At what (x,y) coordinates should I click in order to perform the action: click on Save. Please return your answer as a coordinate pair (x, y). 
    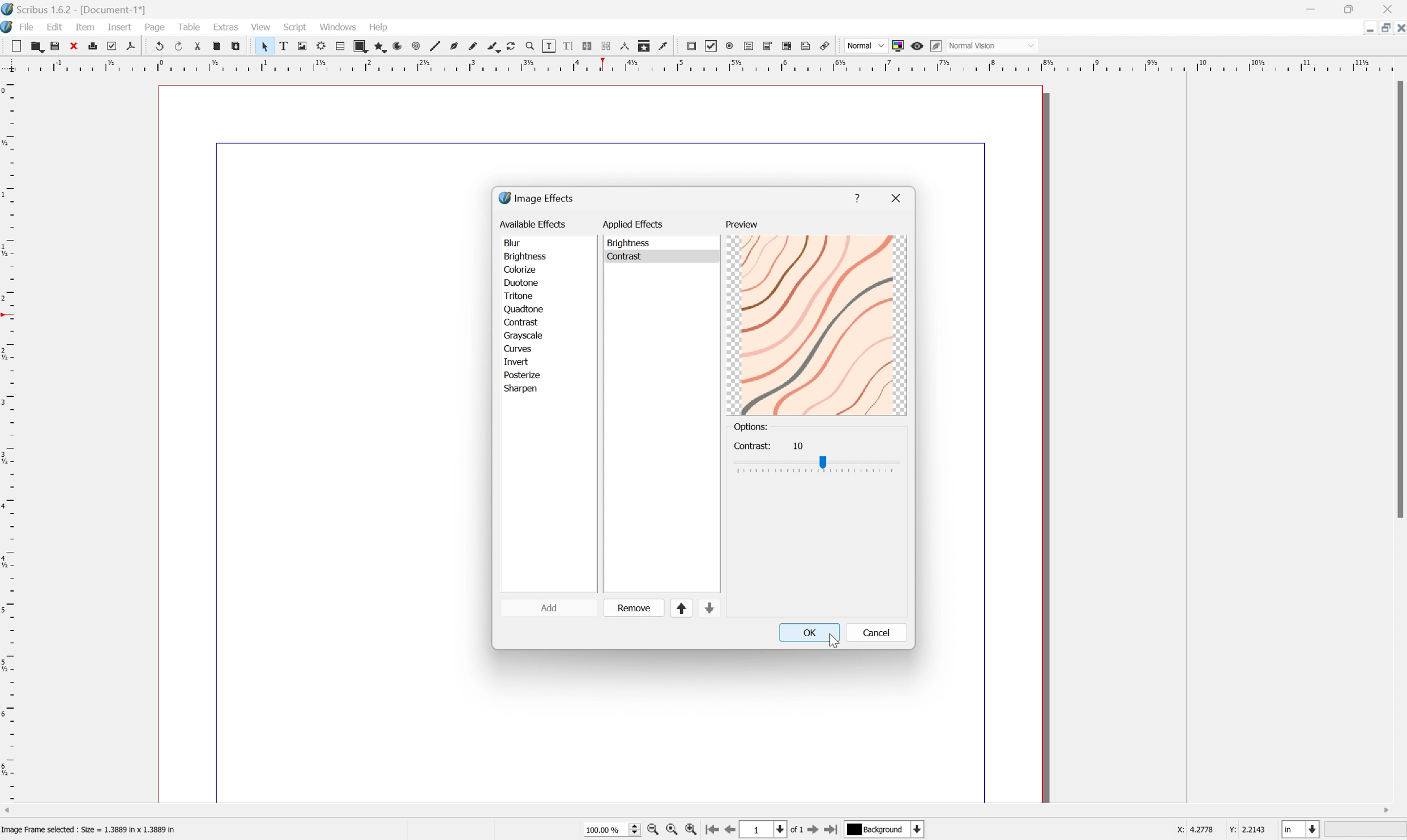
    Looking at the image, I should click on (56, 45).